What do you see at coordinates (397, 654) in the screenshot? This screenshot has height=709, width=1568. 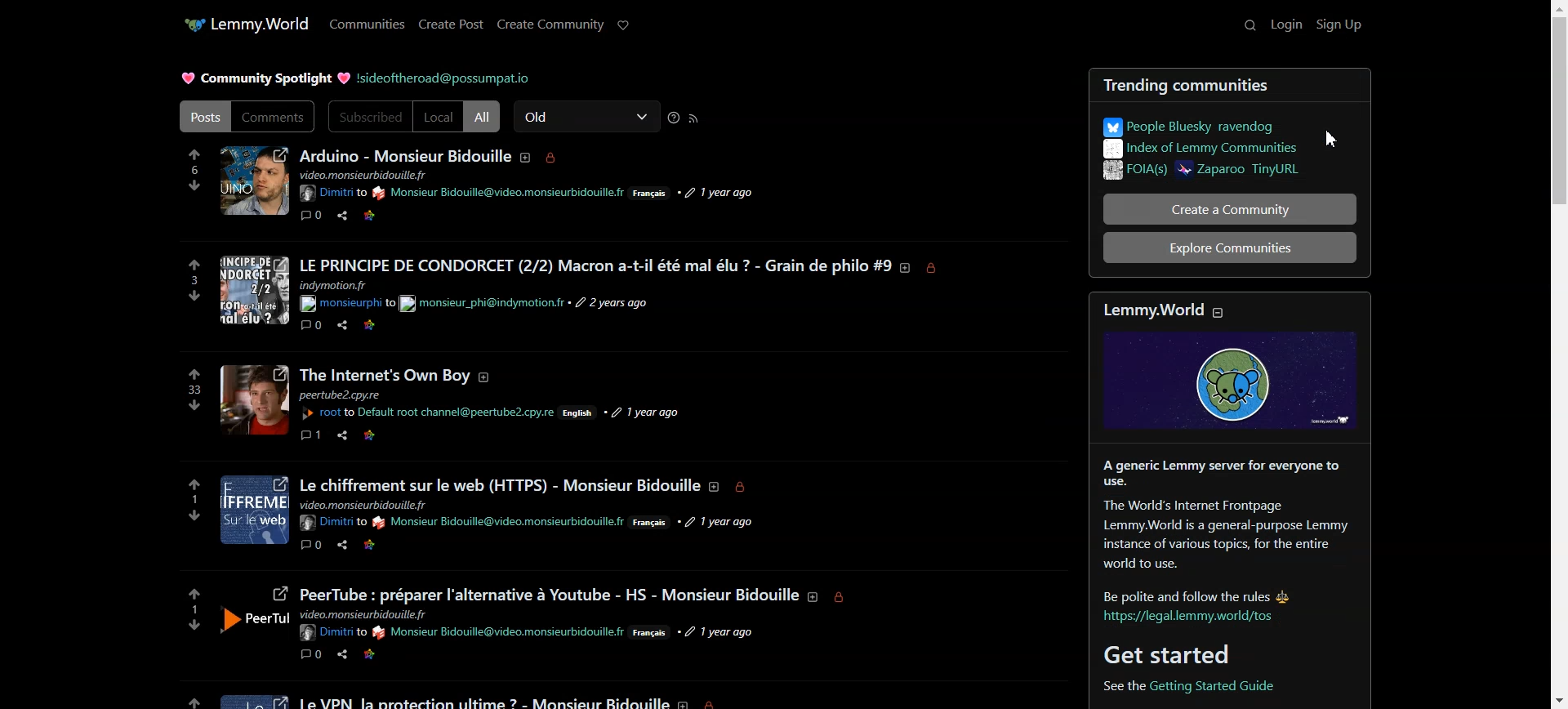 I see `save` at bounding box center [397, 654].